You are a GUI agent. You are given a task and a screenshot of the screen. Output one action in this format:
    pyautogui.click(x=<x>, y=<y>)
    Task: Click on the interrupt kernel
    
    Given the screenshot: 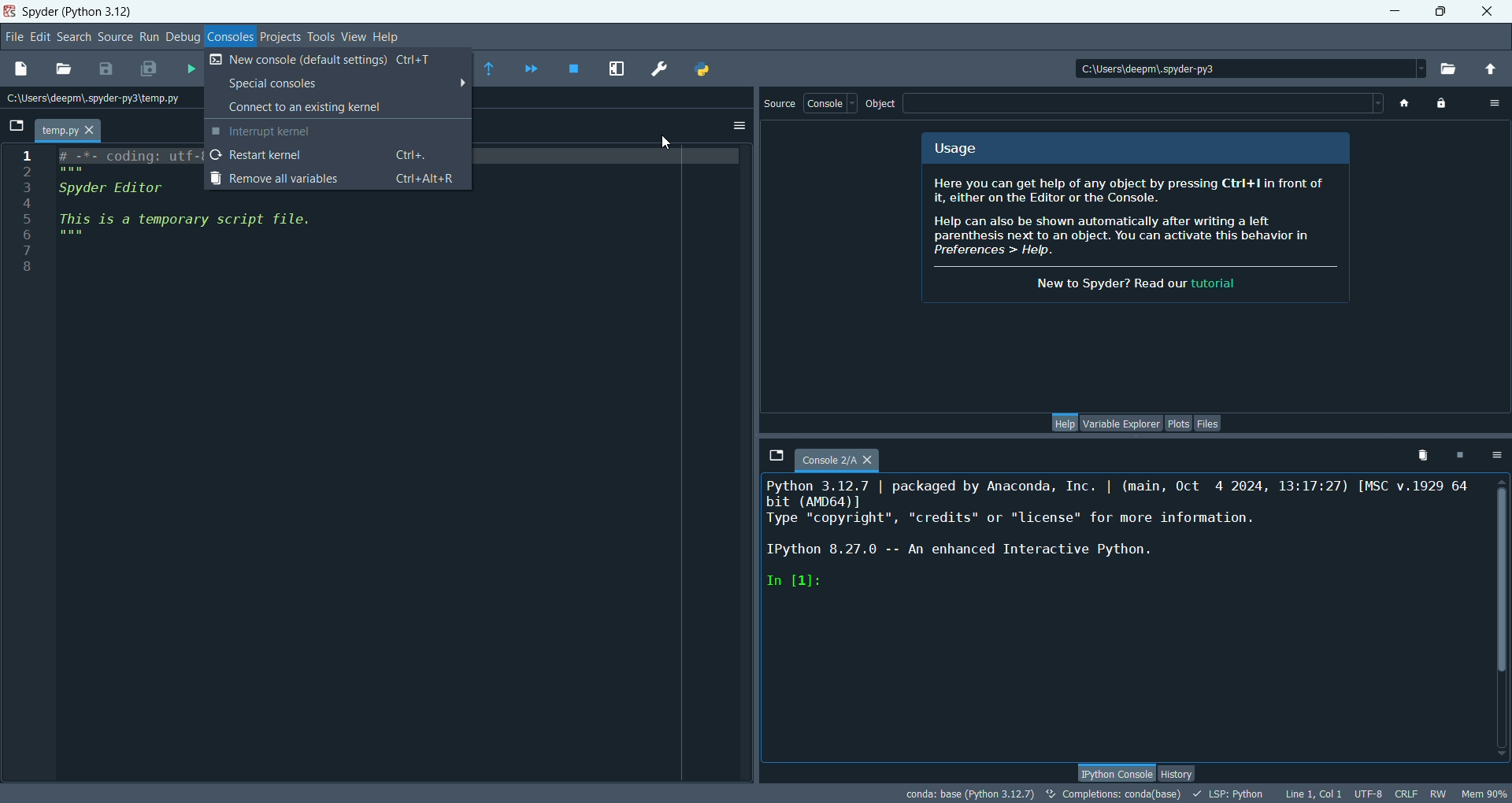 What is the action you would take?
    pyautogui.click(x=1458, y=456)
    